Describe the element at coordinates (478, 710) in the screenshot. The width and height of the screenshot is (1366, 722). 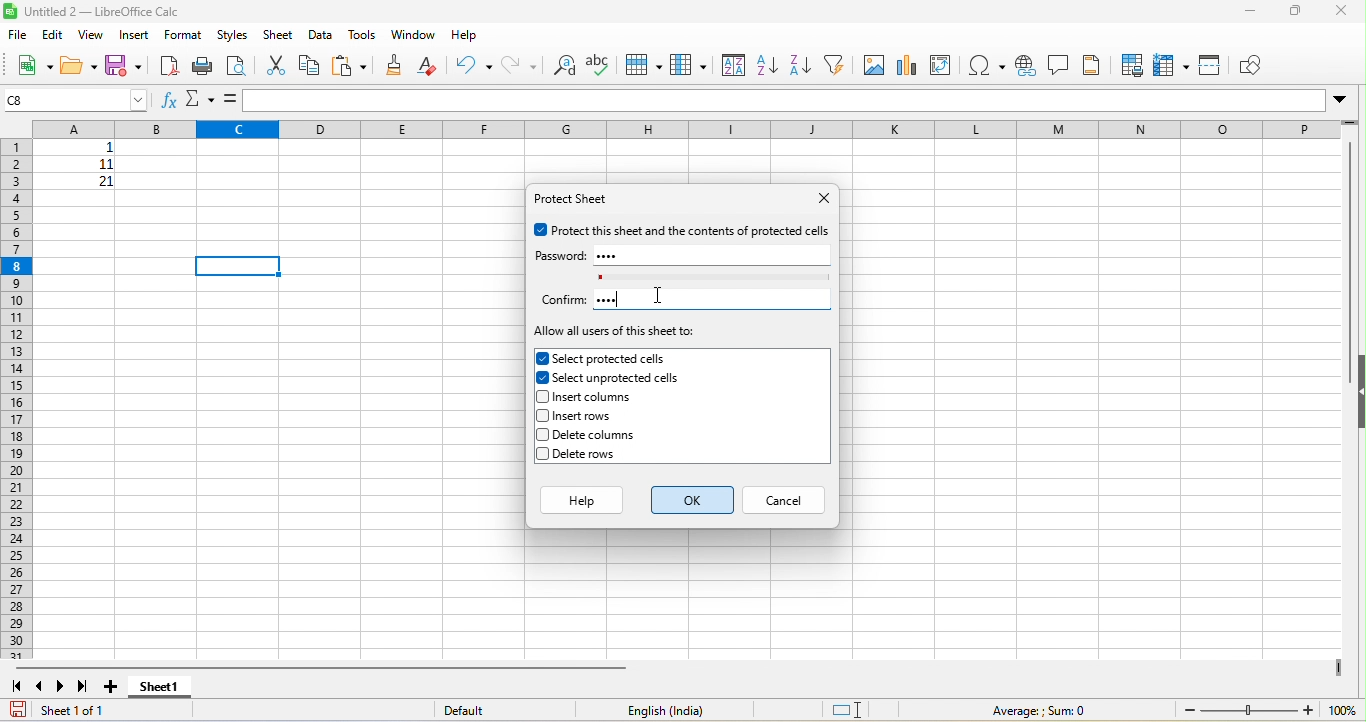
I see `default` at that location.